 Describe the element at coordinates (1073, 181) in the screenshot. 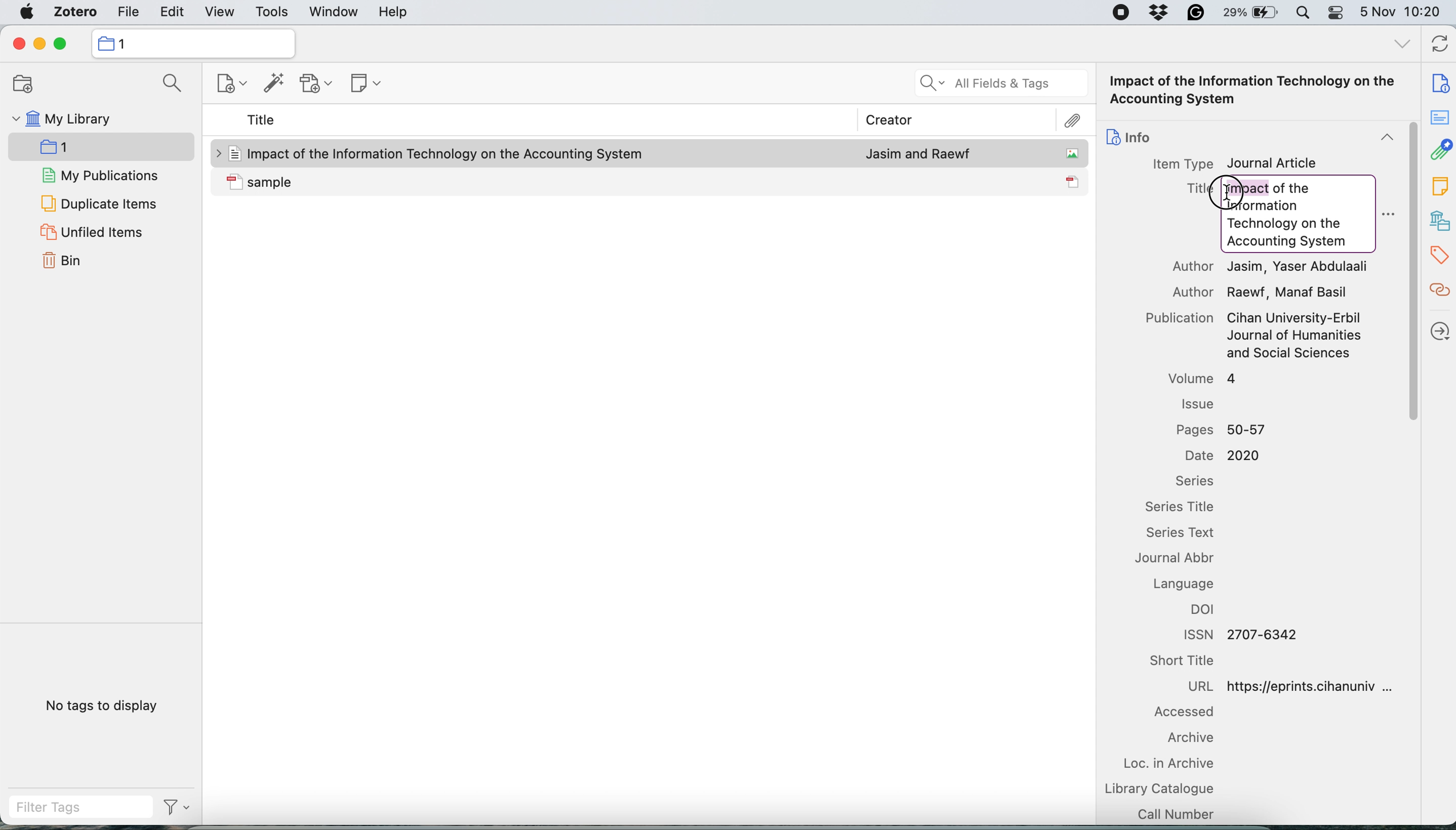

I see `icon` at that location.